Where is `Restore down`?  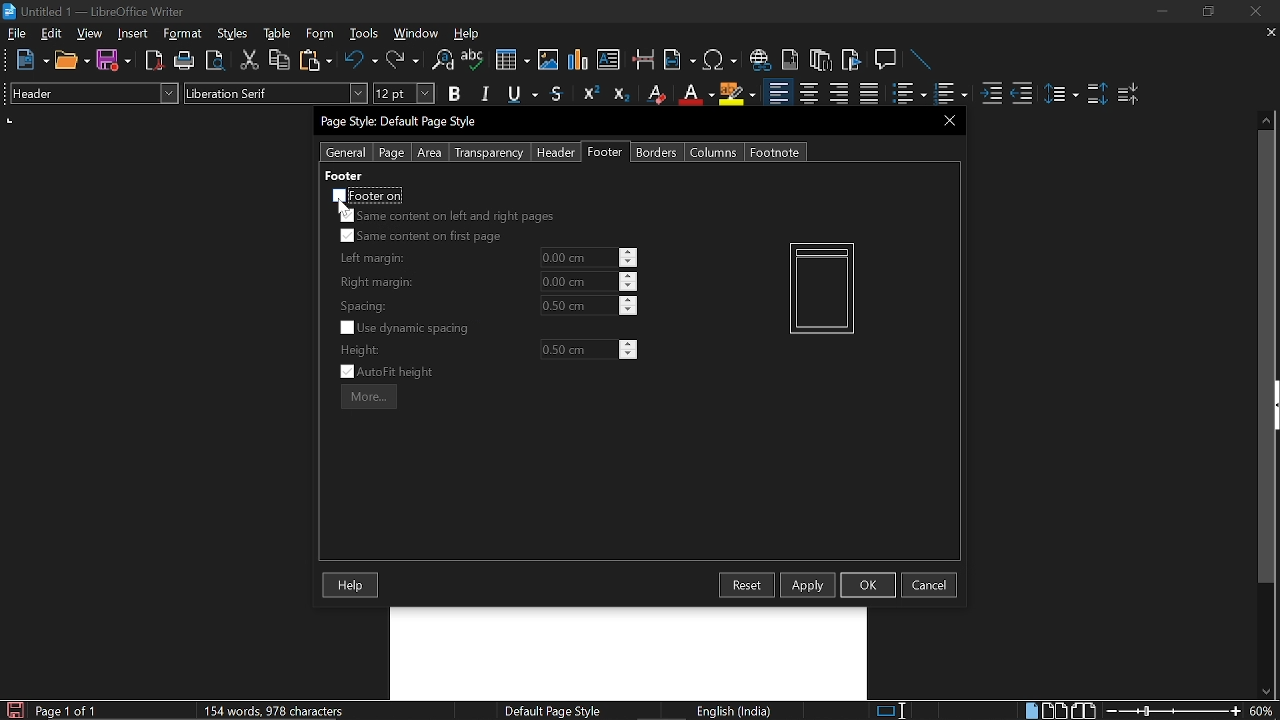 Restore down is located at coordinates (1206, 12).